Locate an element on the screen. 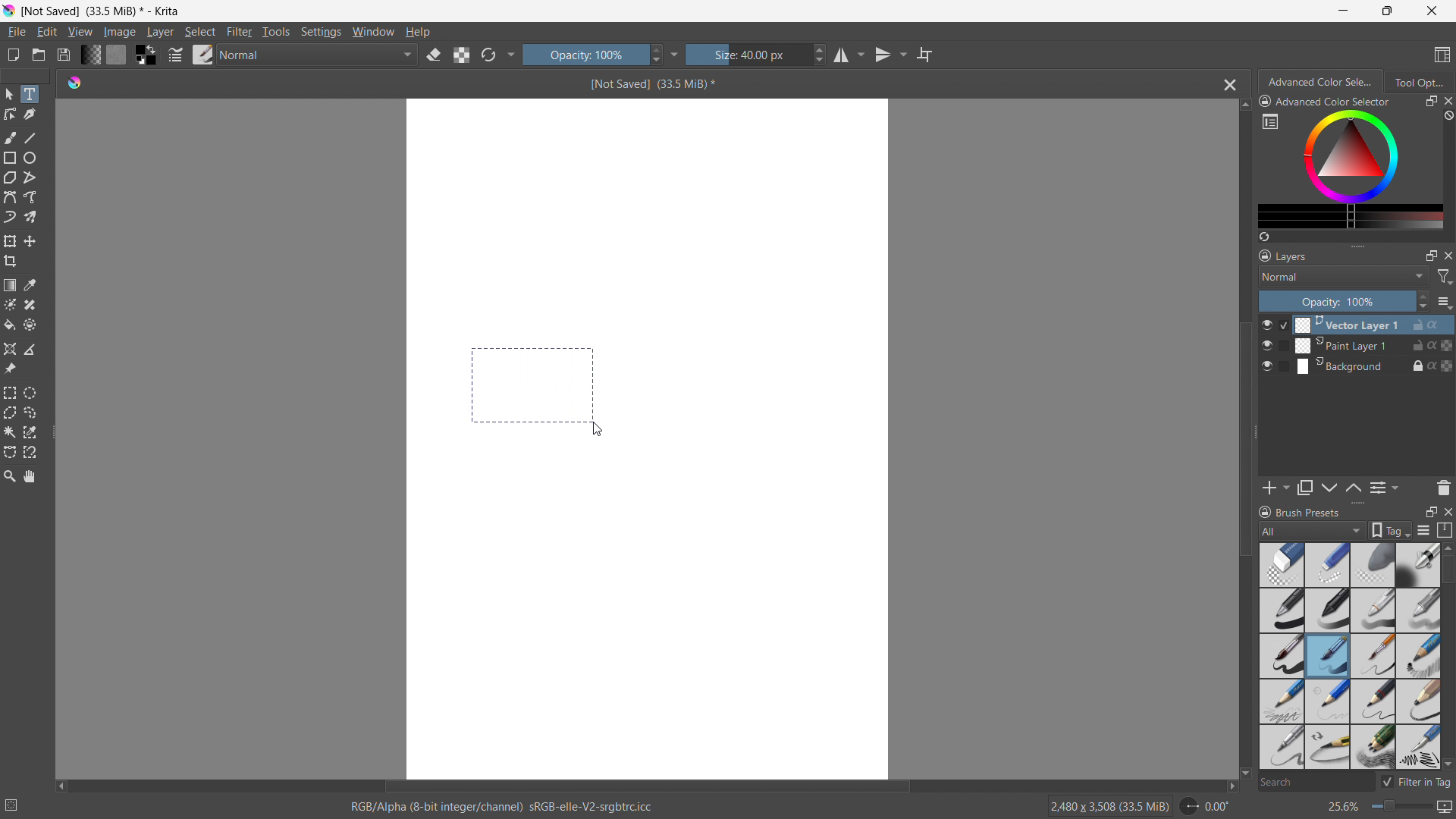 This screenshot has height=819, width=1456. fill pattern is located at coordinates (117, 54).